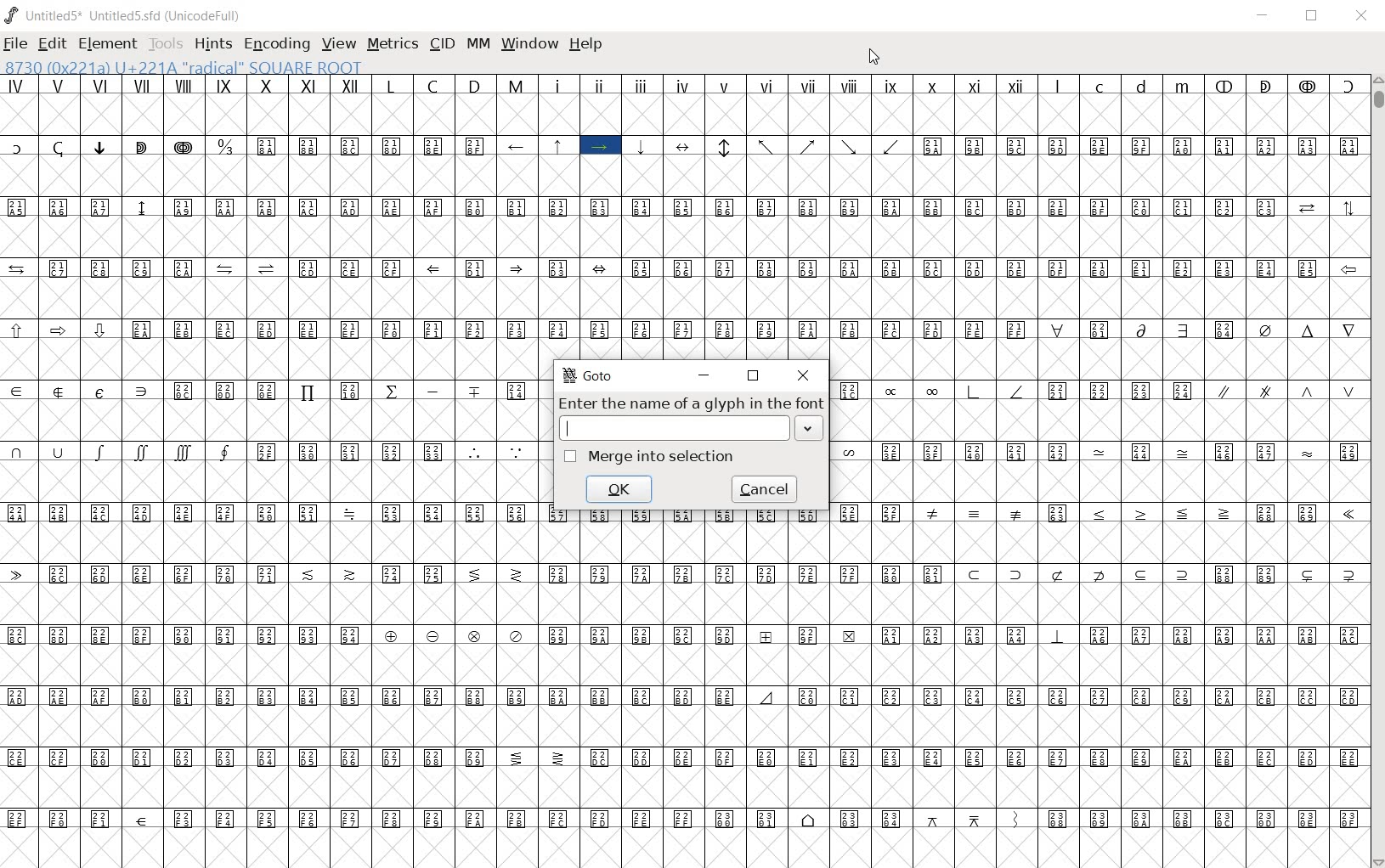  I want to click on VIEW, so click(339, 43).